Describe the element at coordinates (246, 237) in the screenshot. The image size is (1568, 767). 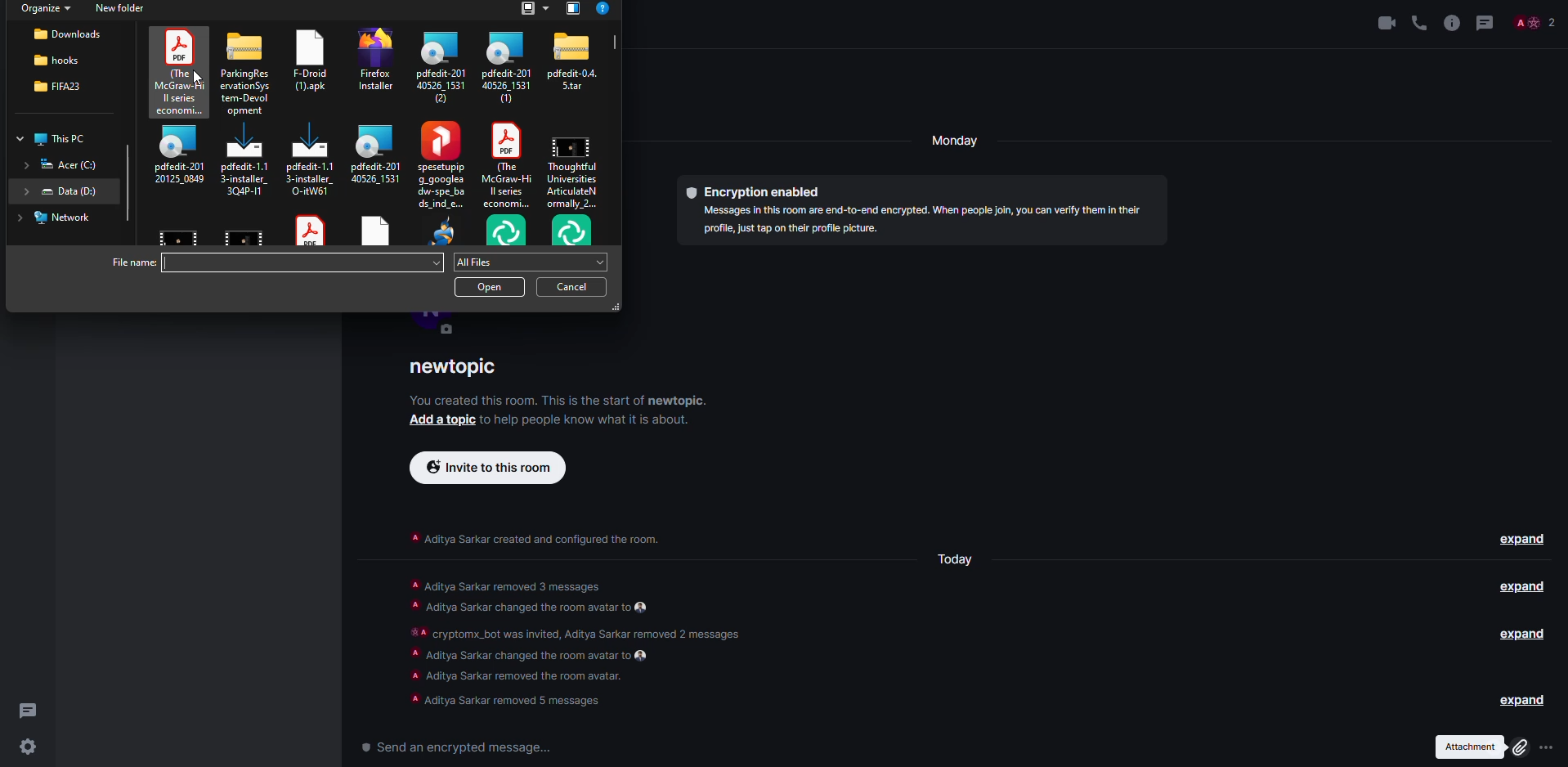
I see `file` at that location.